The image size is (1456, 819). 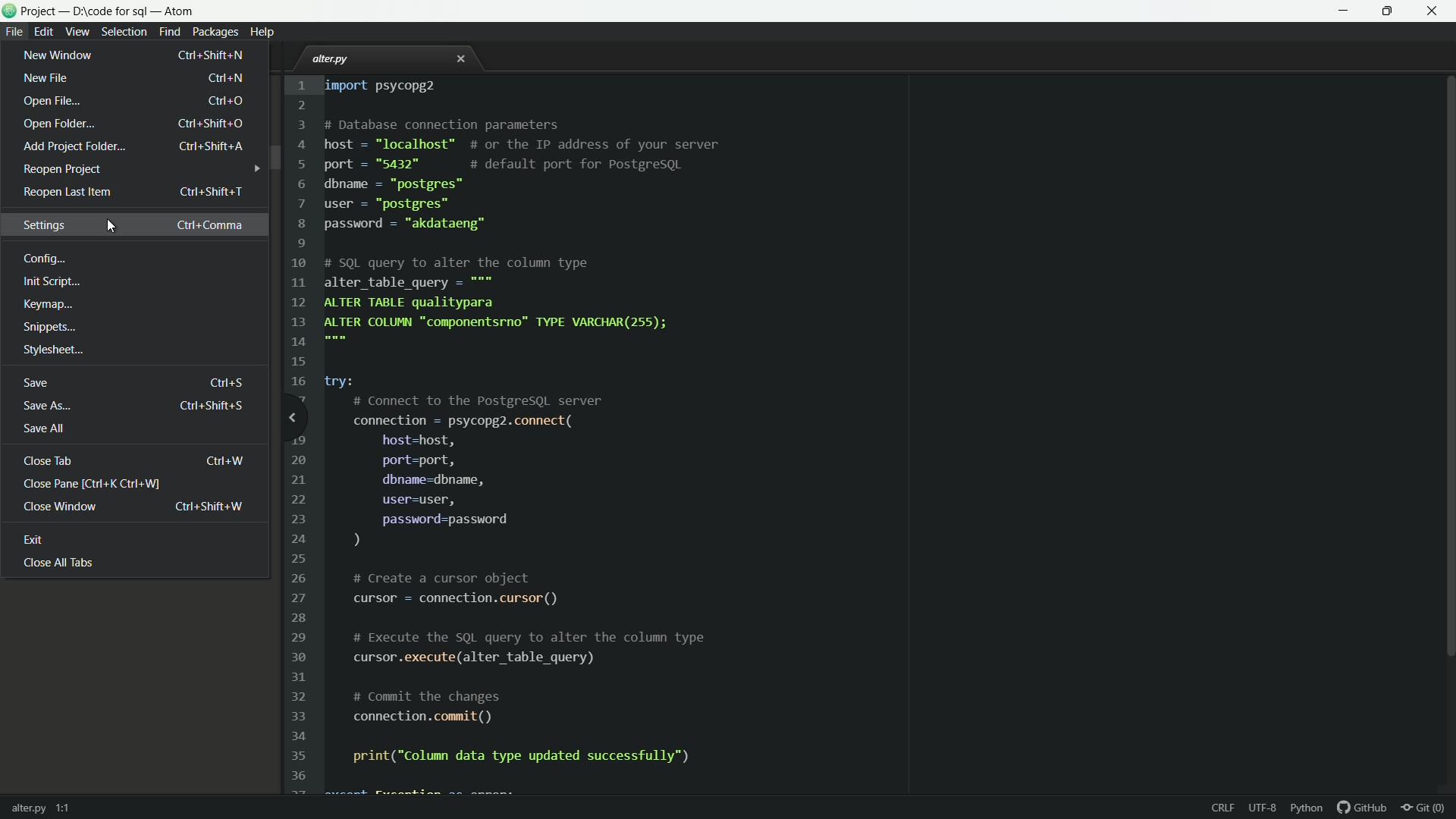 What do you see at coordinates (111, 224) in the screenshot?
I see `cursor` at bounding box center [111, 224].